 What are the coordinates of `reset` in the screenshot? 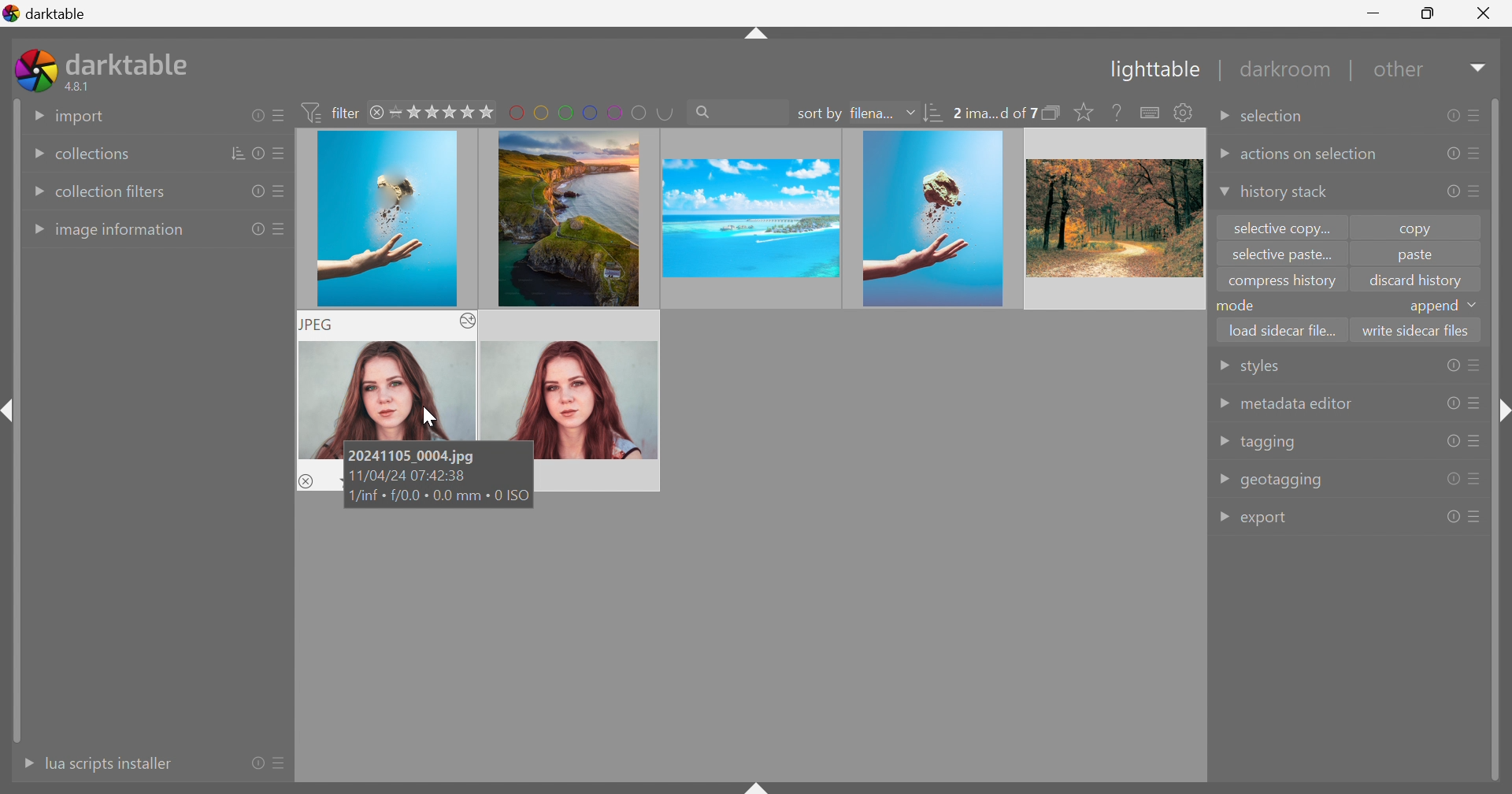 It's located at (261, 153).